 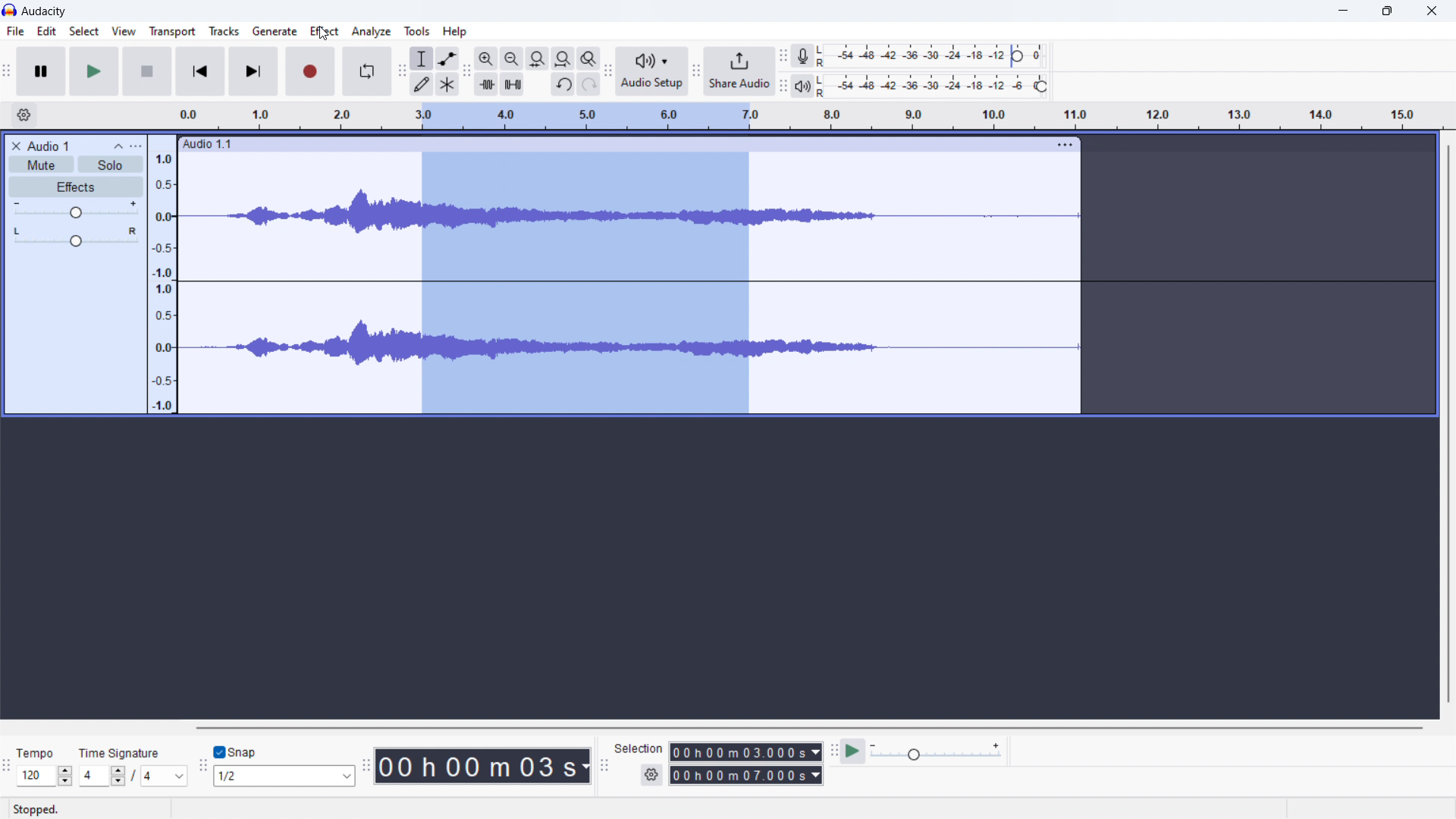 I want to click on maximize, so click(x=1387, y=11).